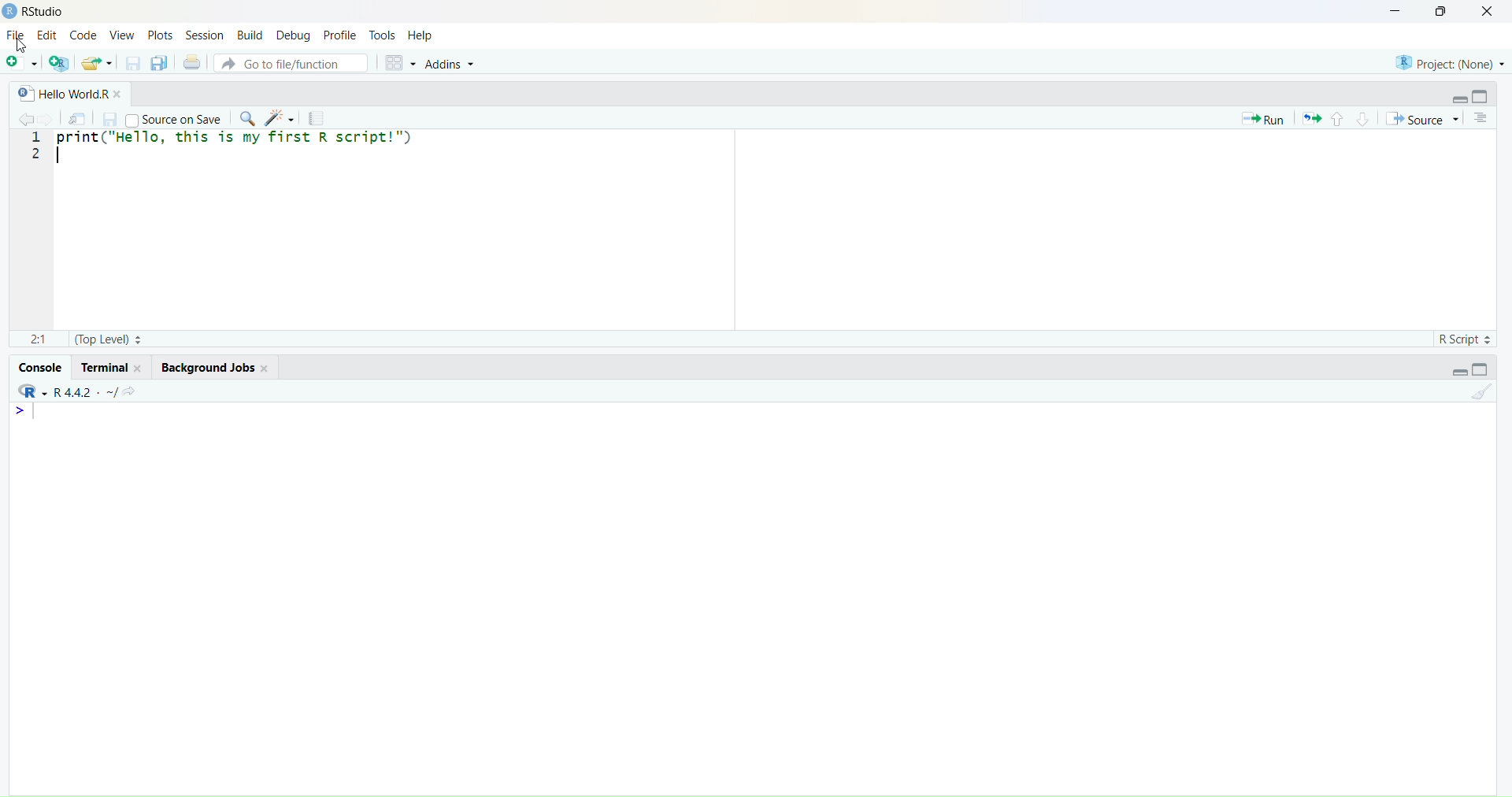 The width and height of the screenshot is (1512, 797). Describe the element at coordinates (1460, 99) in the screenshot. I see `Minimize` at that location.